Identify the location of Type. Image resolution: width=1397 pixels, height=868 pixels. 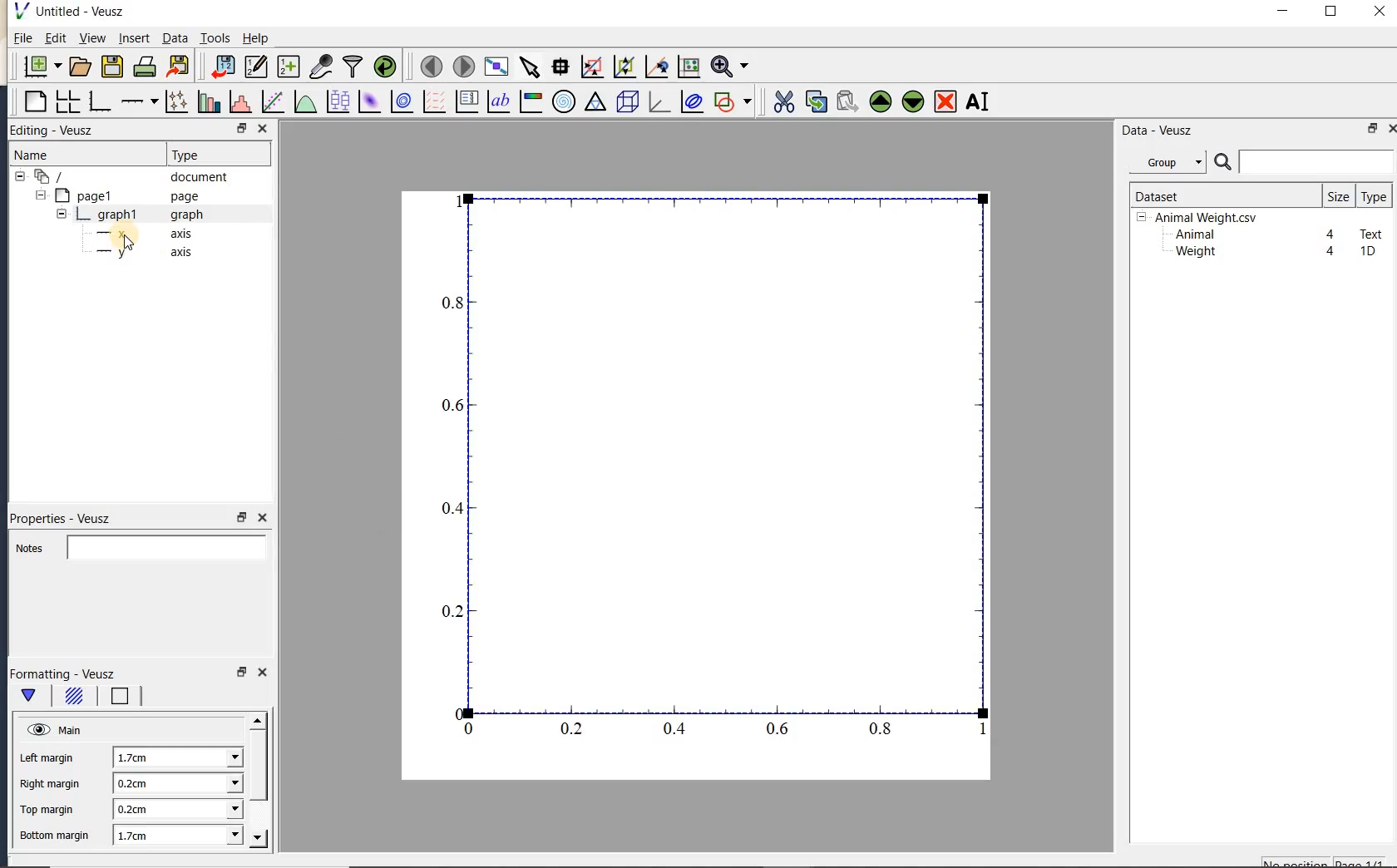
(215, 153).